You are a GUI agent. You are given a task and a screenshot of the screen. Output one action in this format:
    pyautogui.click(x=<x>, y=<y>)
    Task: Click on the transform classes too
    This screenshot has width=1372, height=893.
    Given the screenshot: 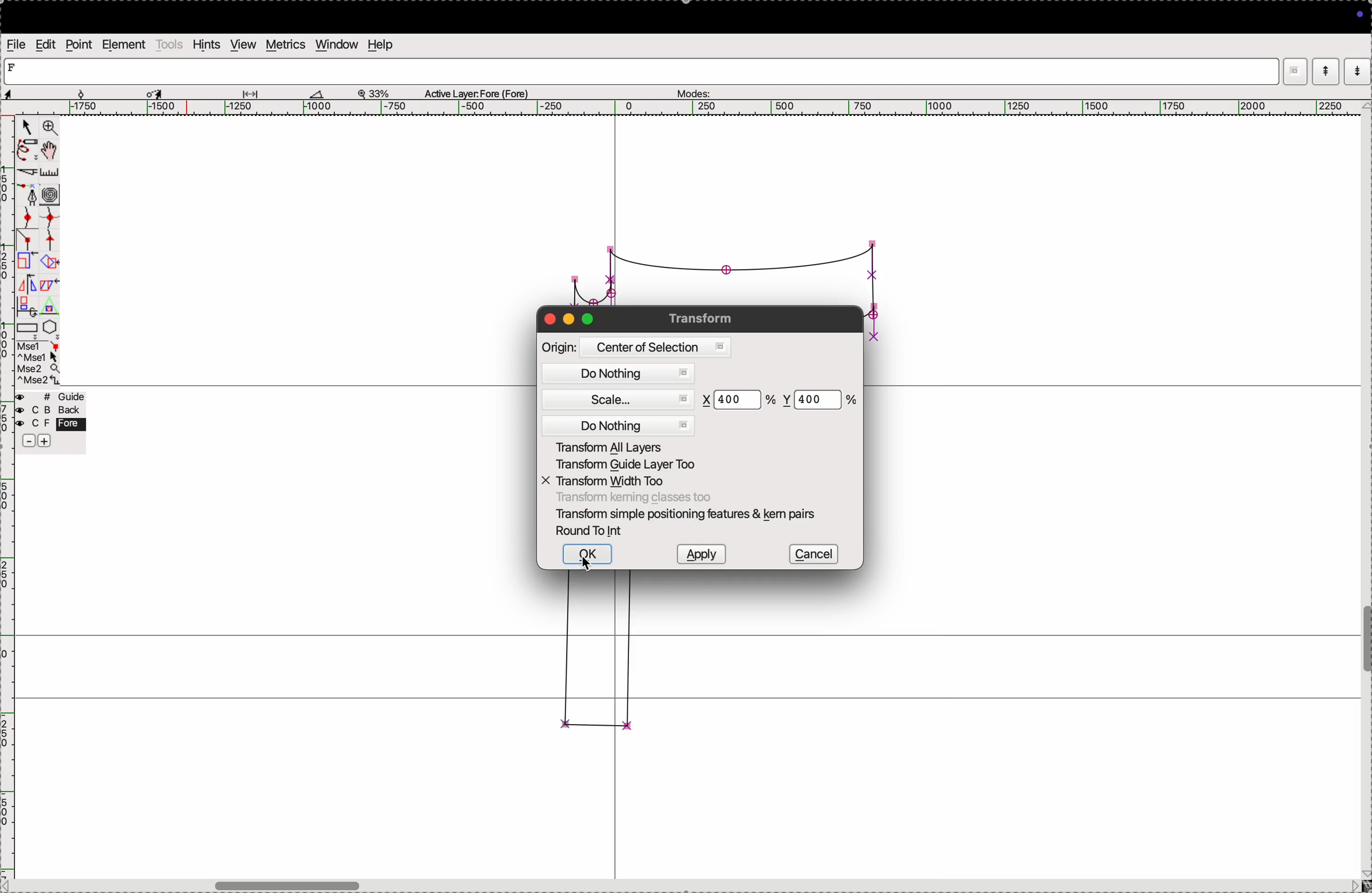 What is the action you would take?
    pyautogui.click(x=633, y=498)
    